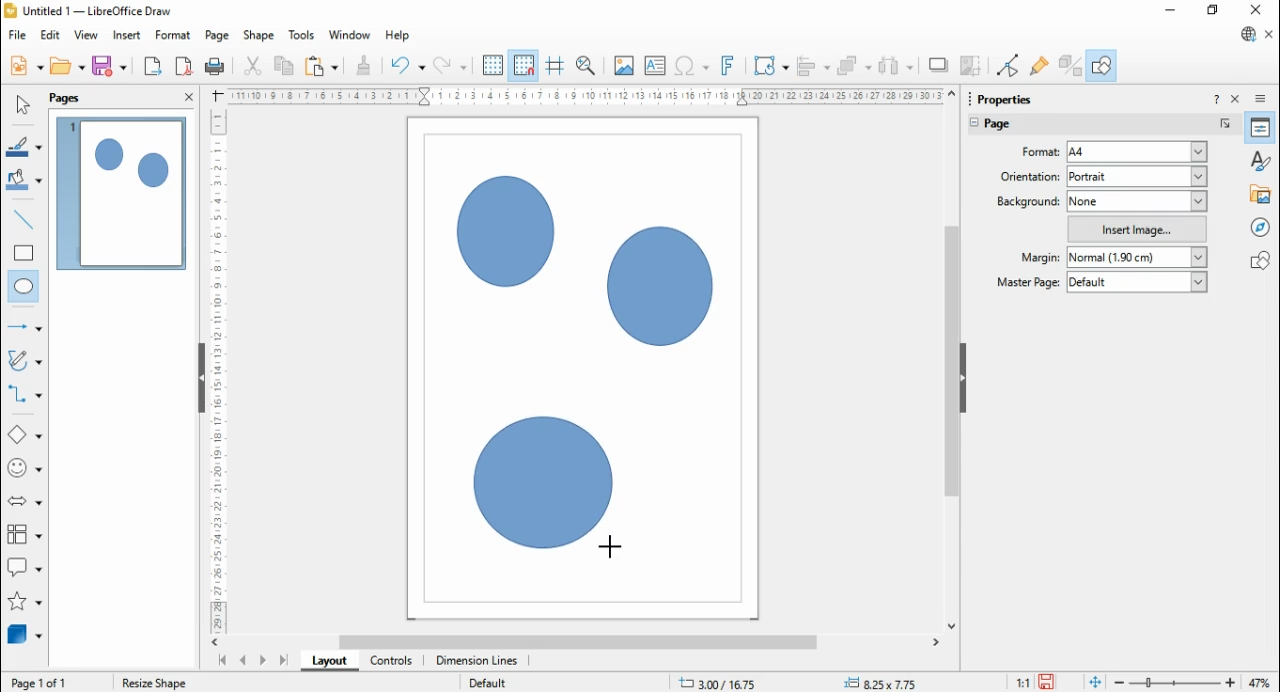 This screenshot has height=692, width=1280. What do you see at coordinates (1028, 175) in the screenshot?
I see `page orientation` at bounding box center [1028, 175].